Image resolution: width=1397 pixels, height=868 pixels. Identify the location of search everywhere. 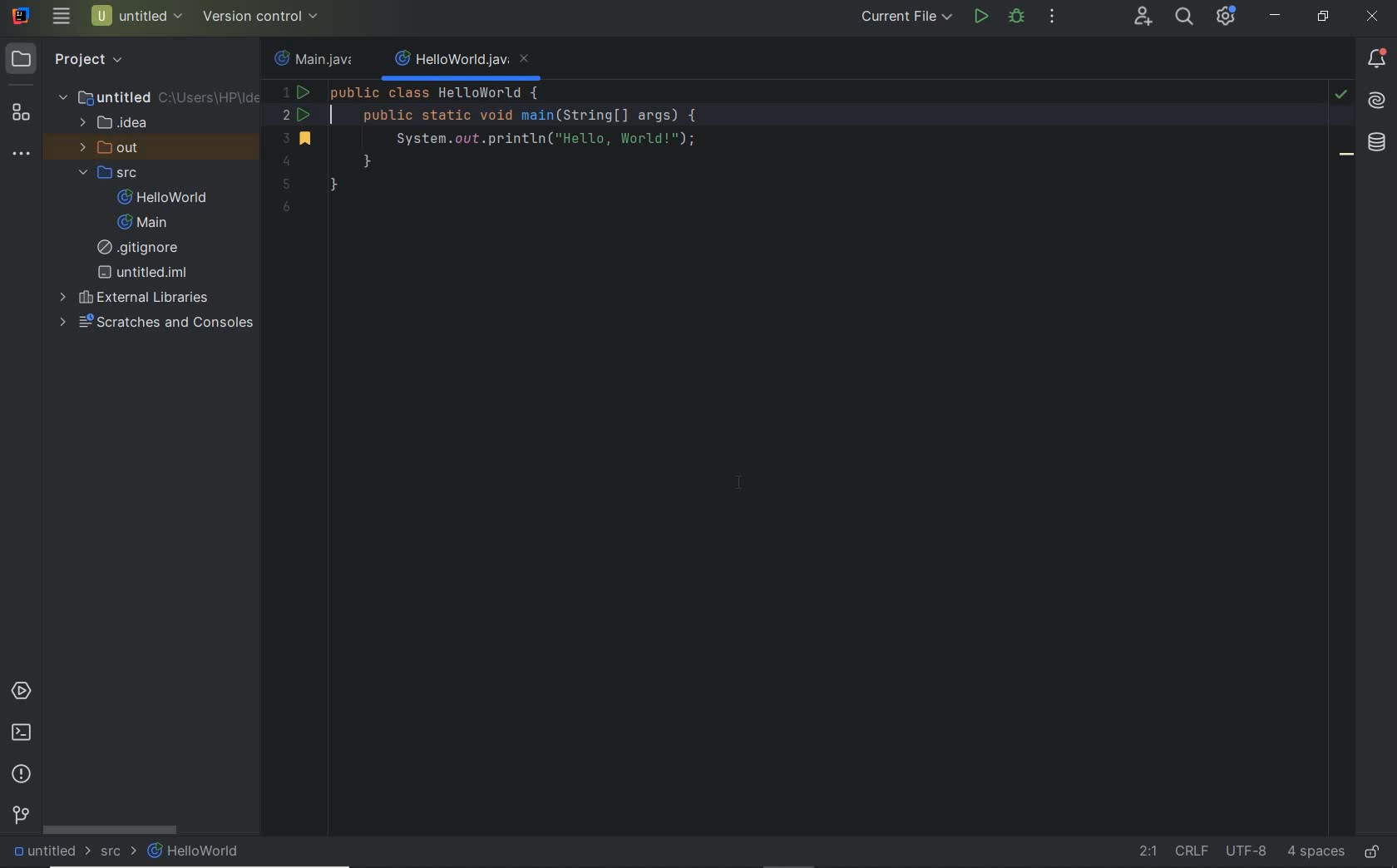
(1183, 17).